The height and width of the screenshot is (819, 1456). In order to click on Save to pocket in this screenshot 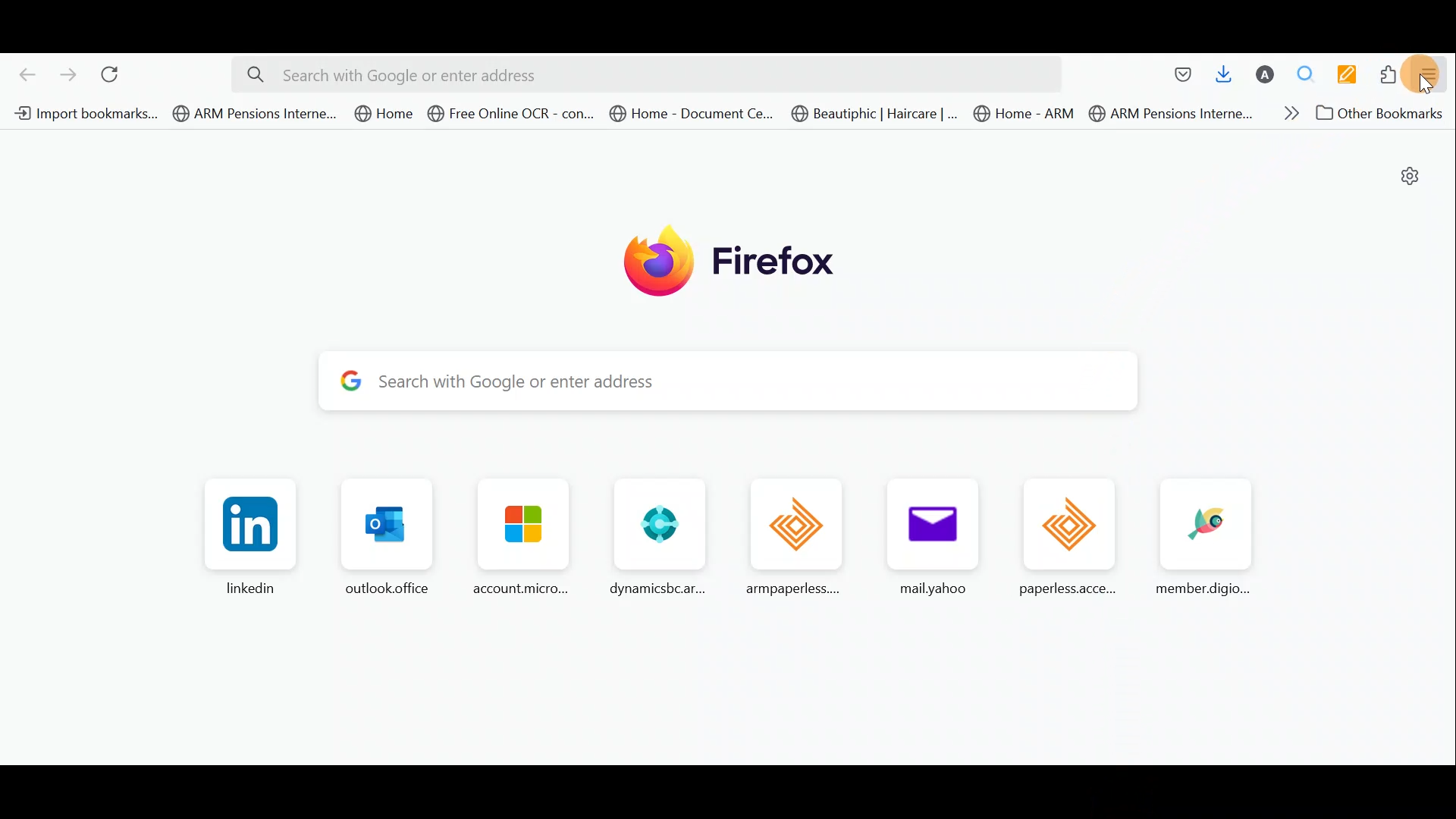, I will do `click(1180, 78)`.